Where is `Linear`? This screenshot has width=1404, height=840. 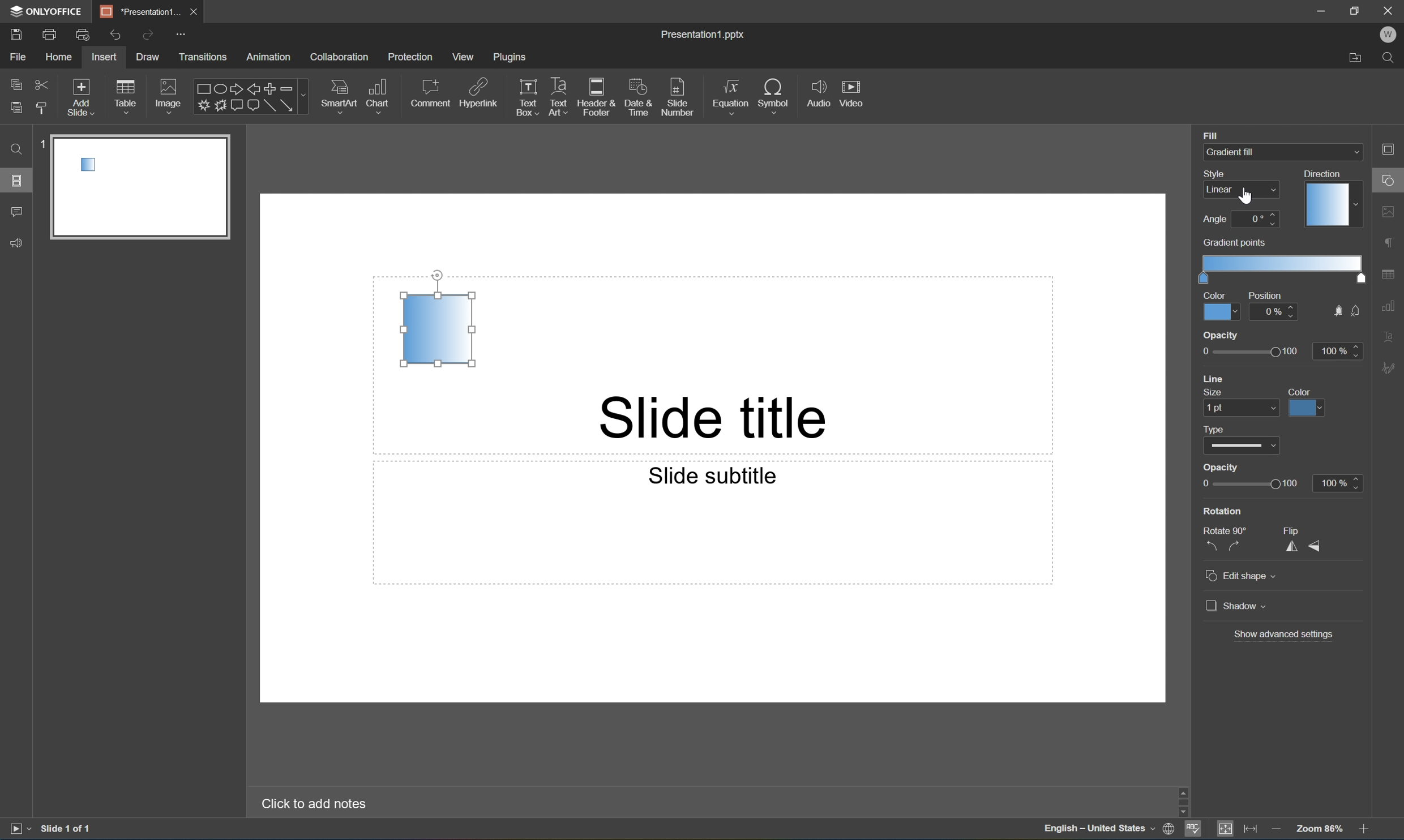
Linear is located at coordinates (437, 329).